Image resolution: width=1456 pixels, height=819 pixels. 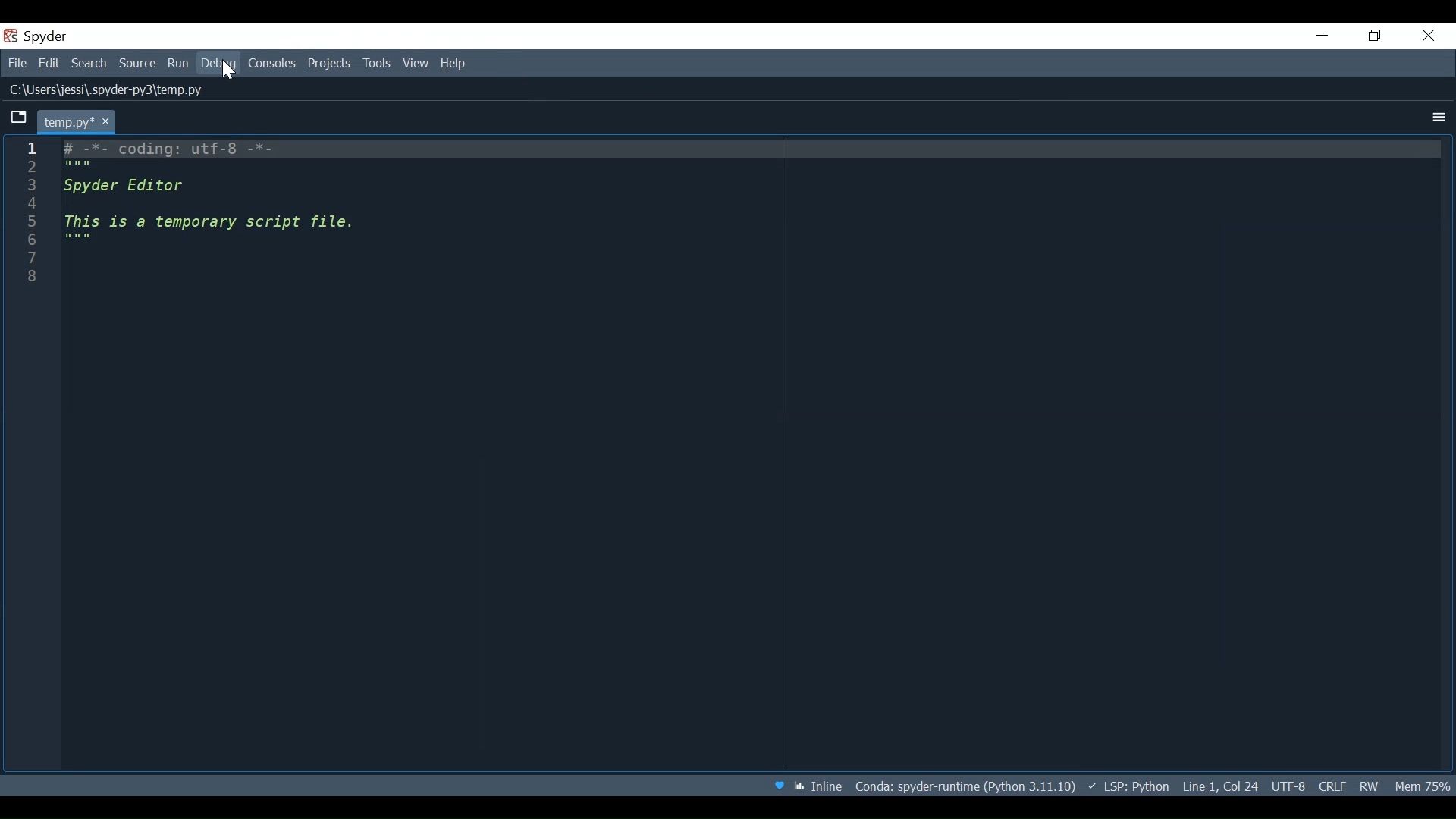 I want to click on Help Spyder, so click(x=779, y=785).